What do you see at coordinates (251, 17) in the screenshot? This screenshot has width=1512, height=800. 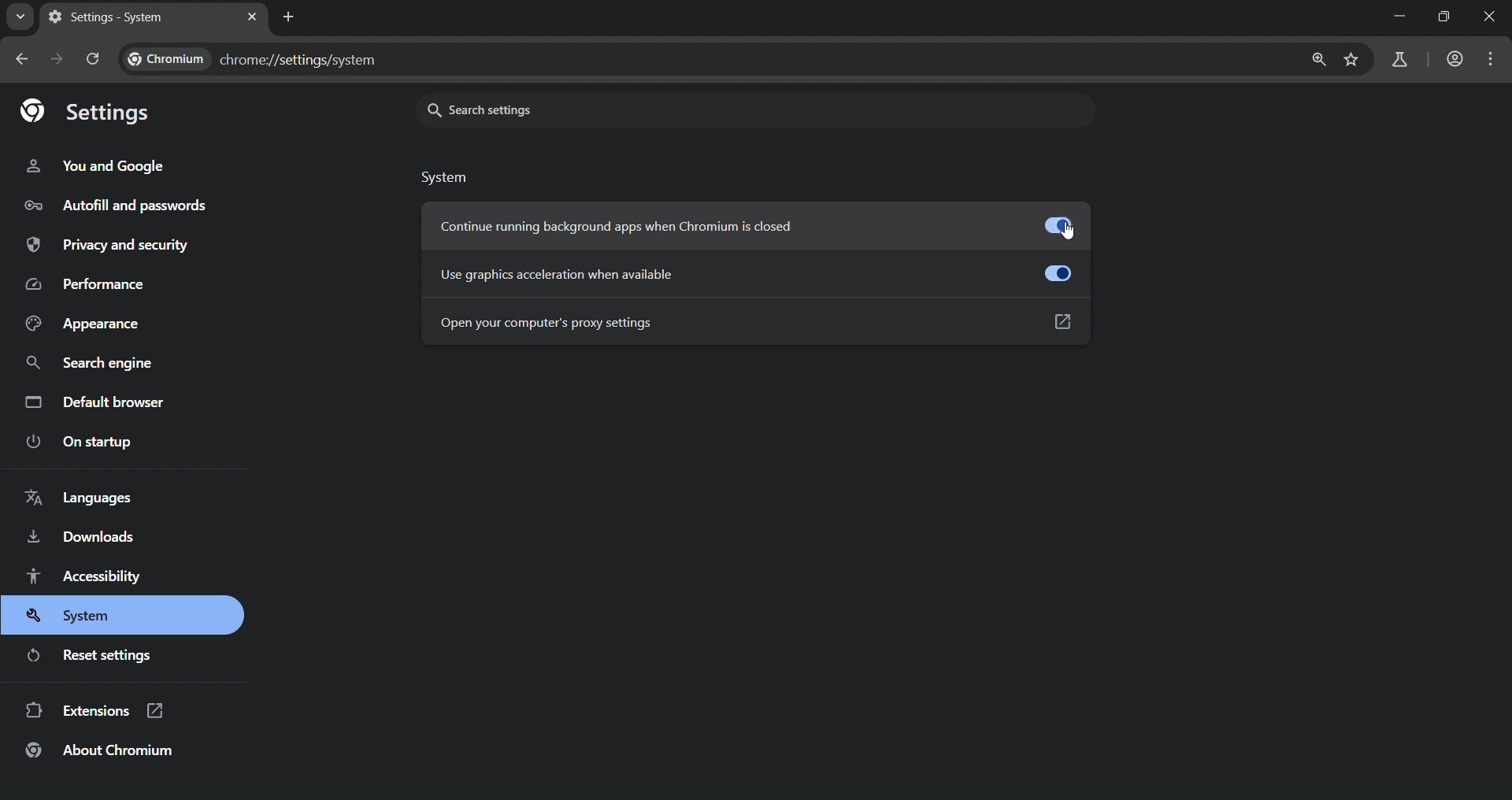 I see `close tab` at bounding box center [251, 17].